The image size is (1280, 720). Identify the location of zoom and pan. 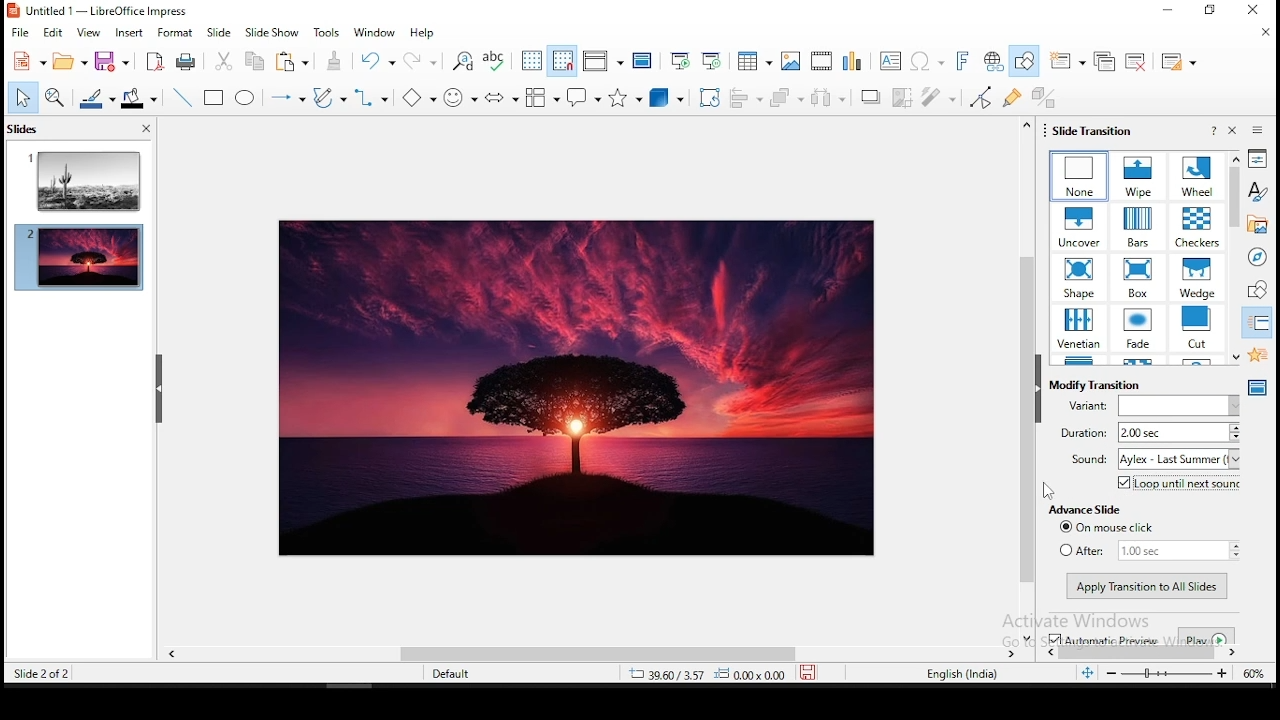
(59, 99).